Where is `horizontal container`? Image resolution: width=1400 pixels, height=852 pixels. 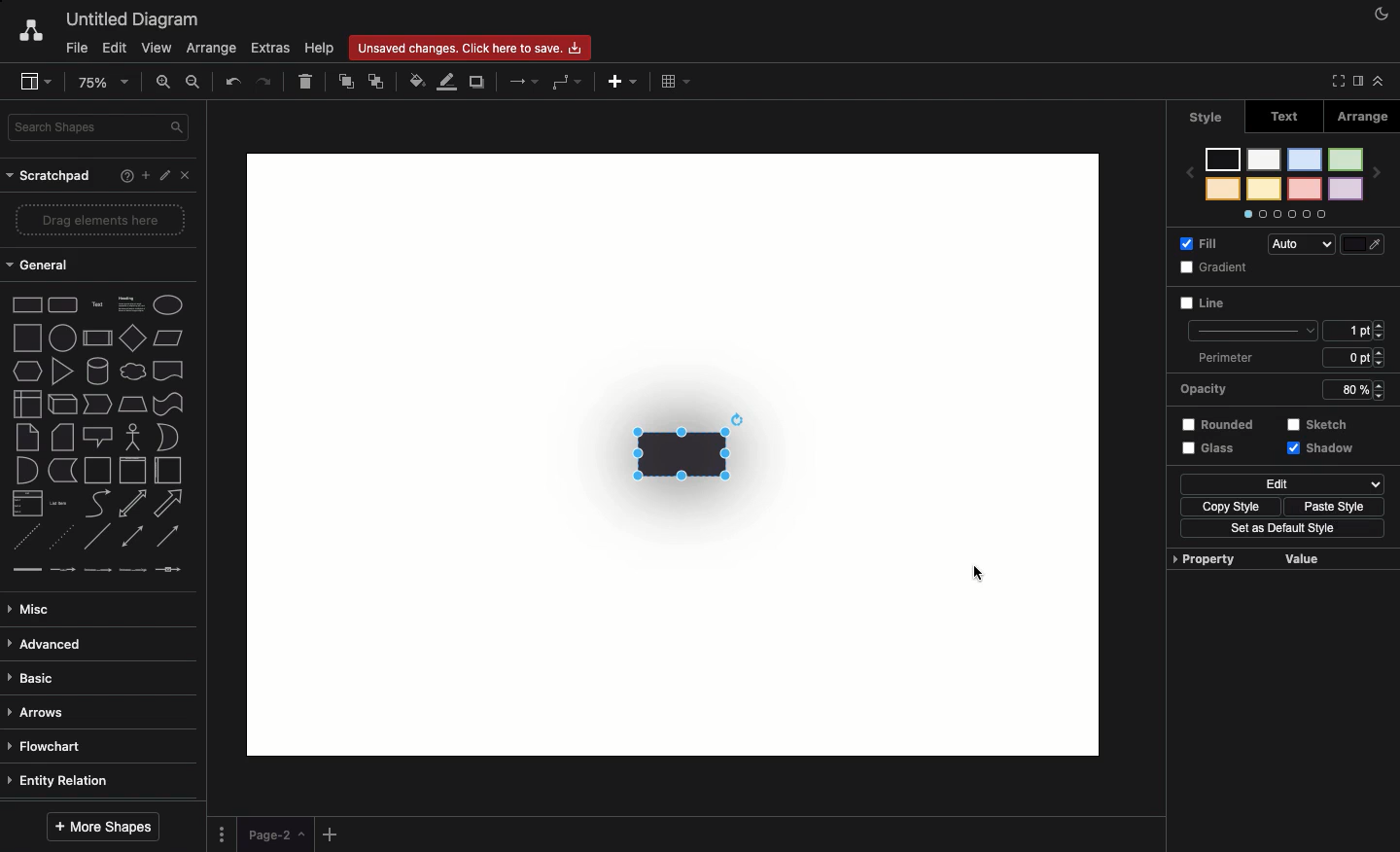 horizontal container is located at coordinates (172, 471).